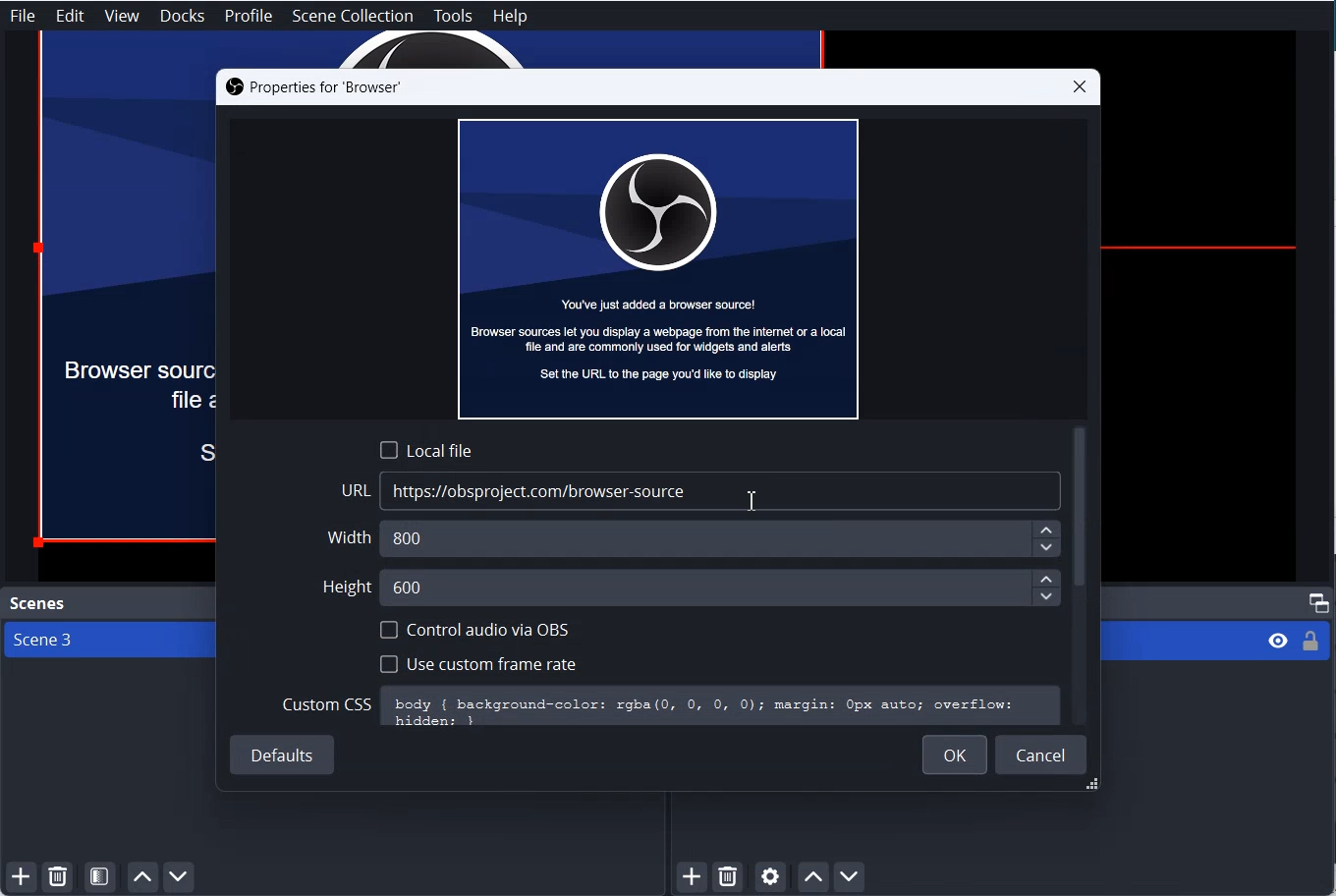  Describe the element at coordinates (23, 15) in the screenshot. I see `File` at that location.